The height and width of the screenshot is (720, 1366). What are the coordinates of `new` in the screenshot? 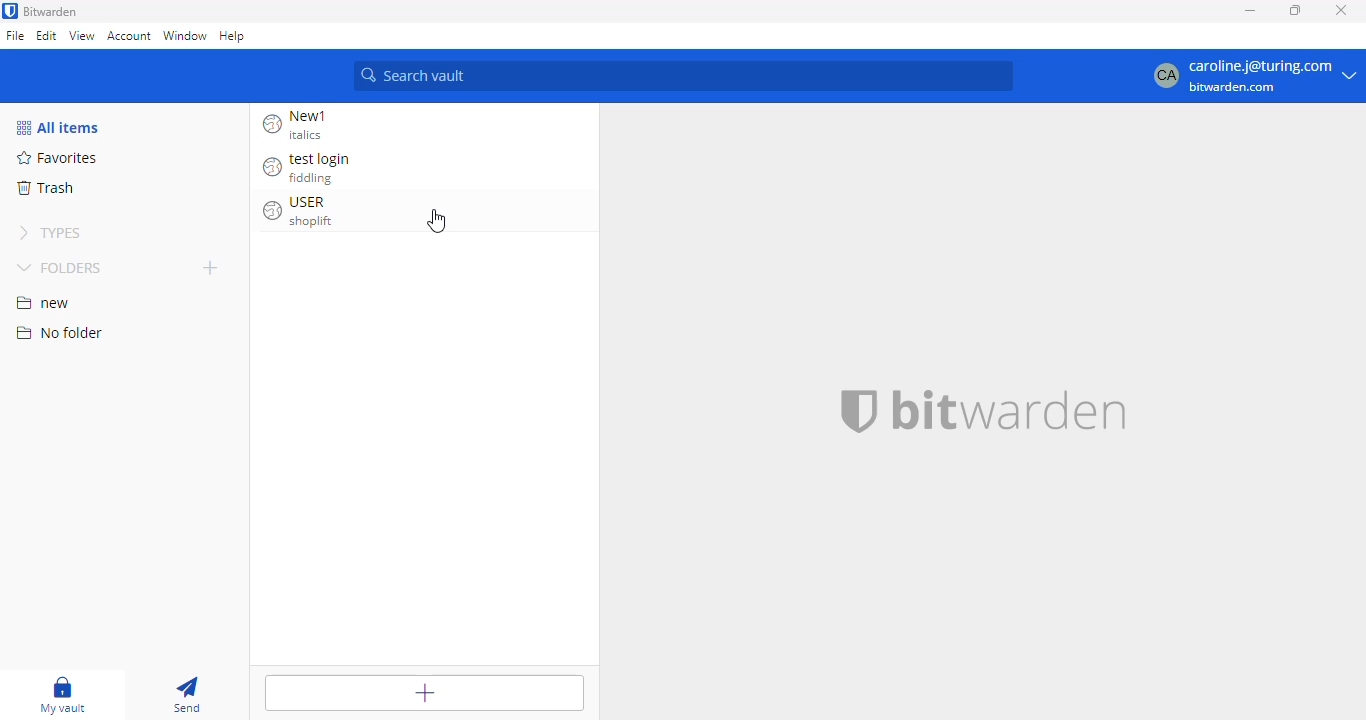 It's located at (43, 303).